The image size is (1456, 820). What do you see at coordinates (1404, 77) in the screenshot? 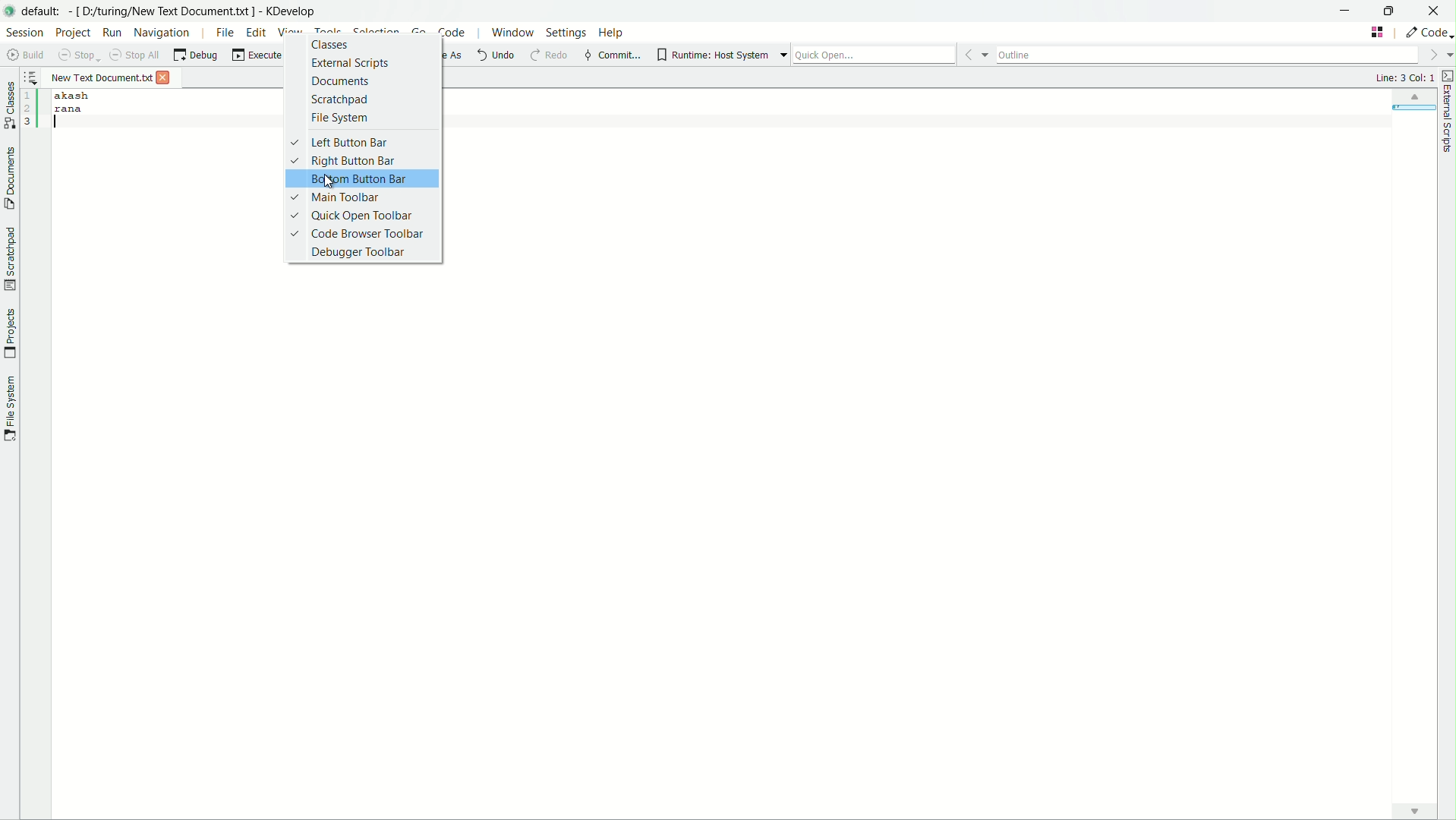
I see `lines and columns` at bounding box center [1404, 77].